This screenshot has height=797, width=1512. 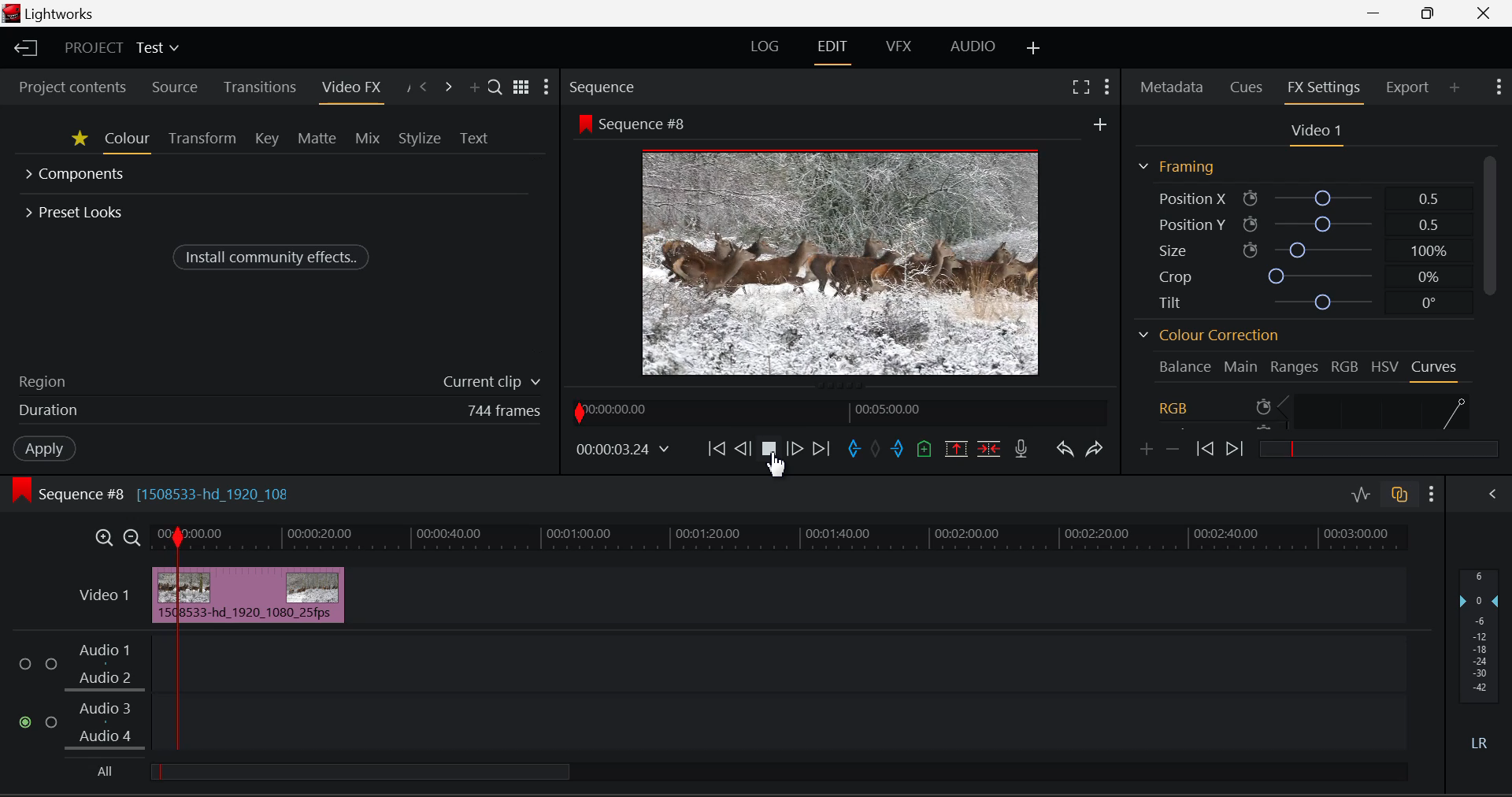 I want to click on Minimize, so click(x=1429, y=13).